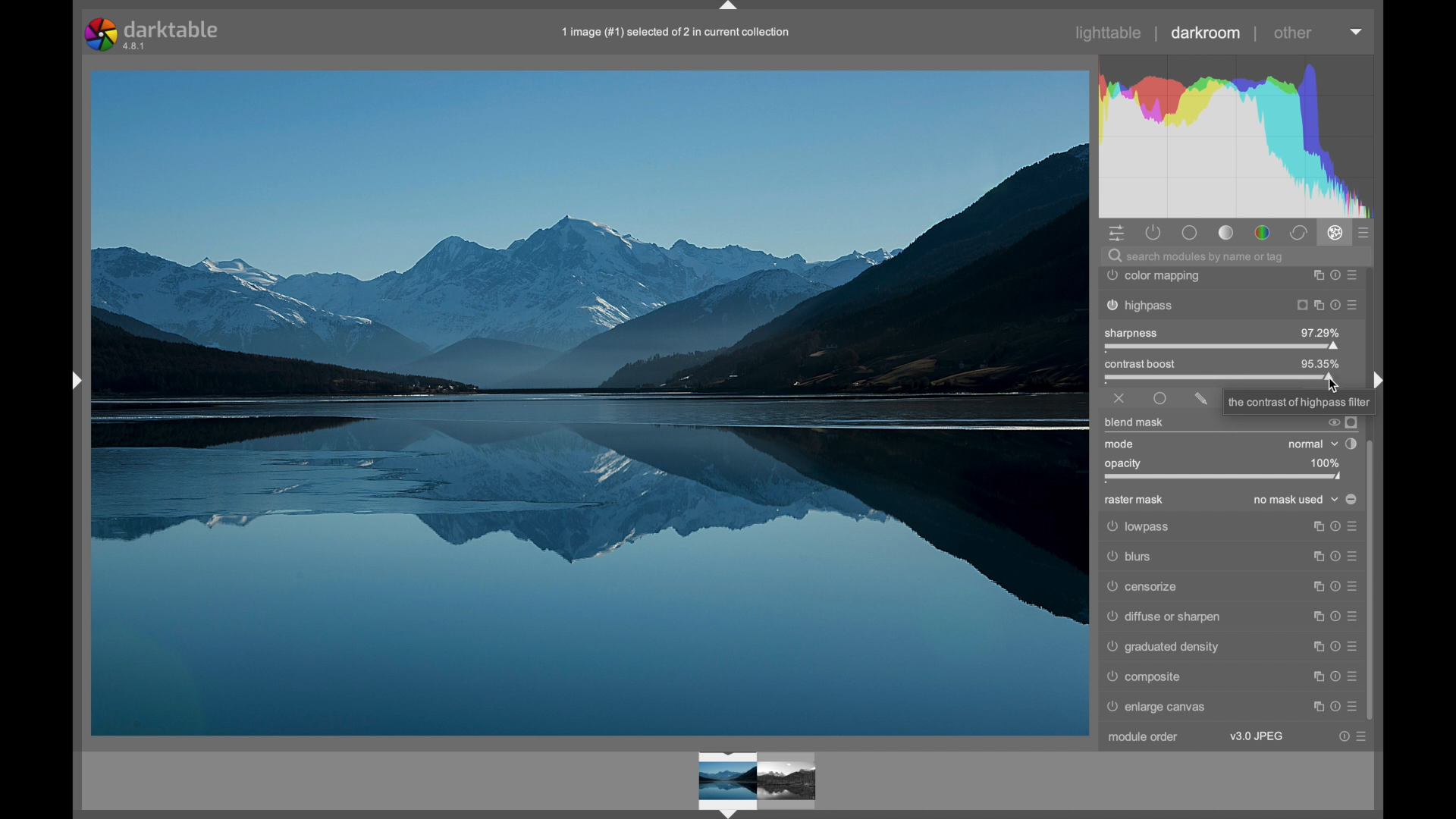 This screenshot has height=819, width=1456. Describe the element at coordinates (1223, 347) in the screenshot. I see `slider` at that location.